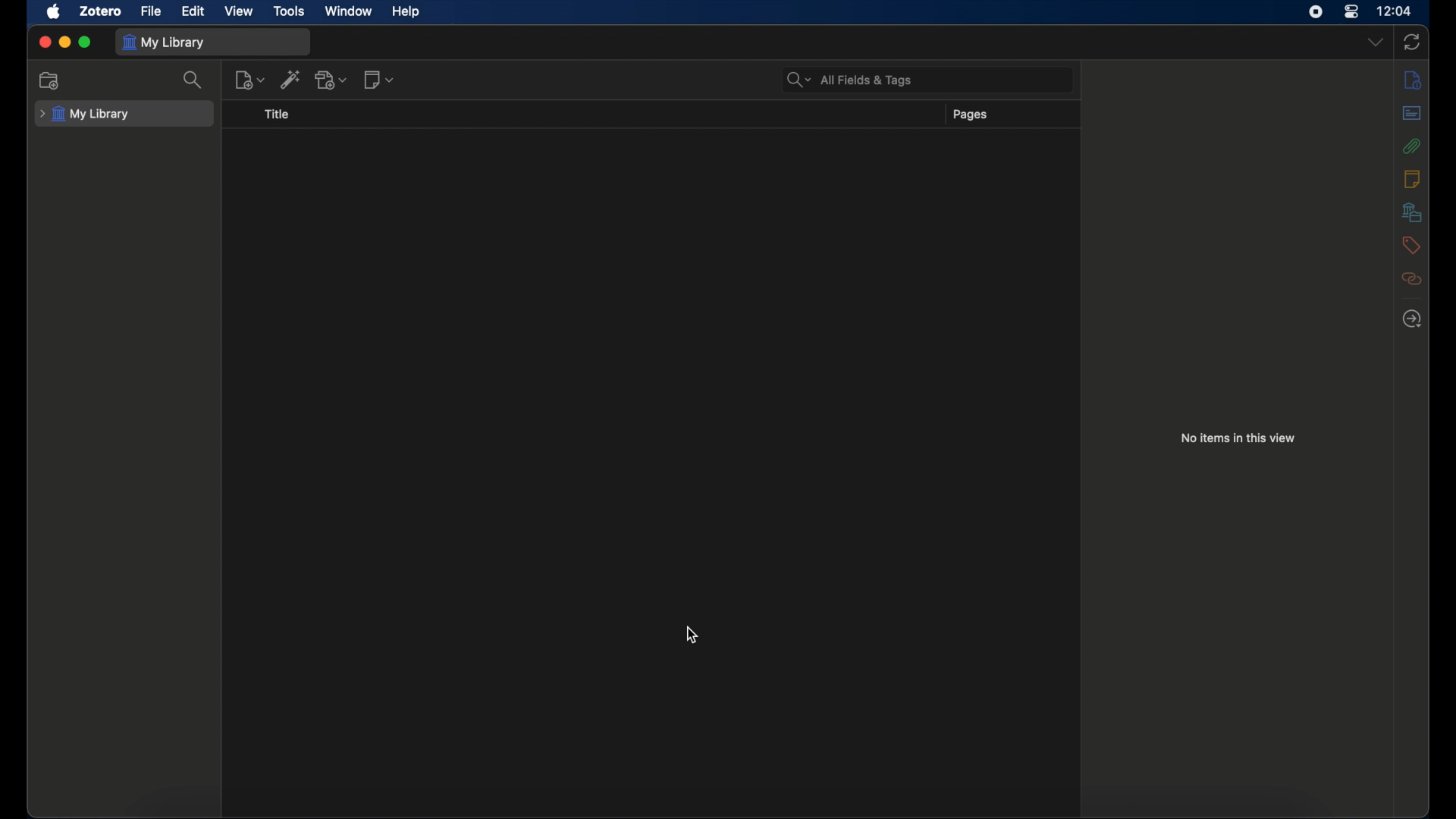  What do you see at coordinates (1352, 12) in the screenshot?
I see `control center` at bounding box center [1352, 12].